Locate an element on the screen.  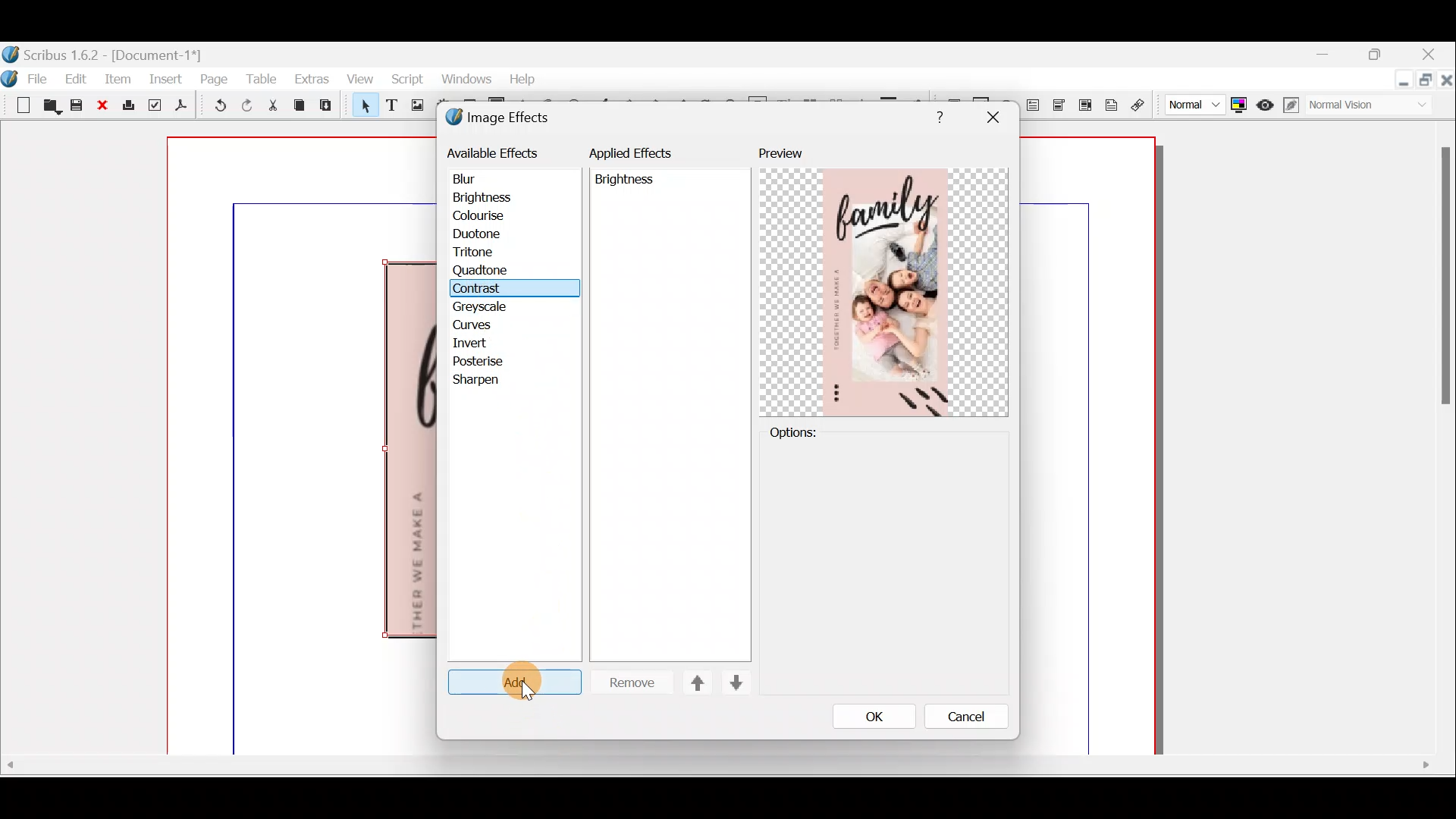
Select item is located at coordinates (361, 108).